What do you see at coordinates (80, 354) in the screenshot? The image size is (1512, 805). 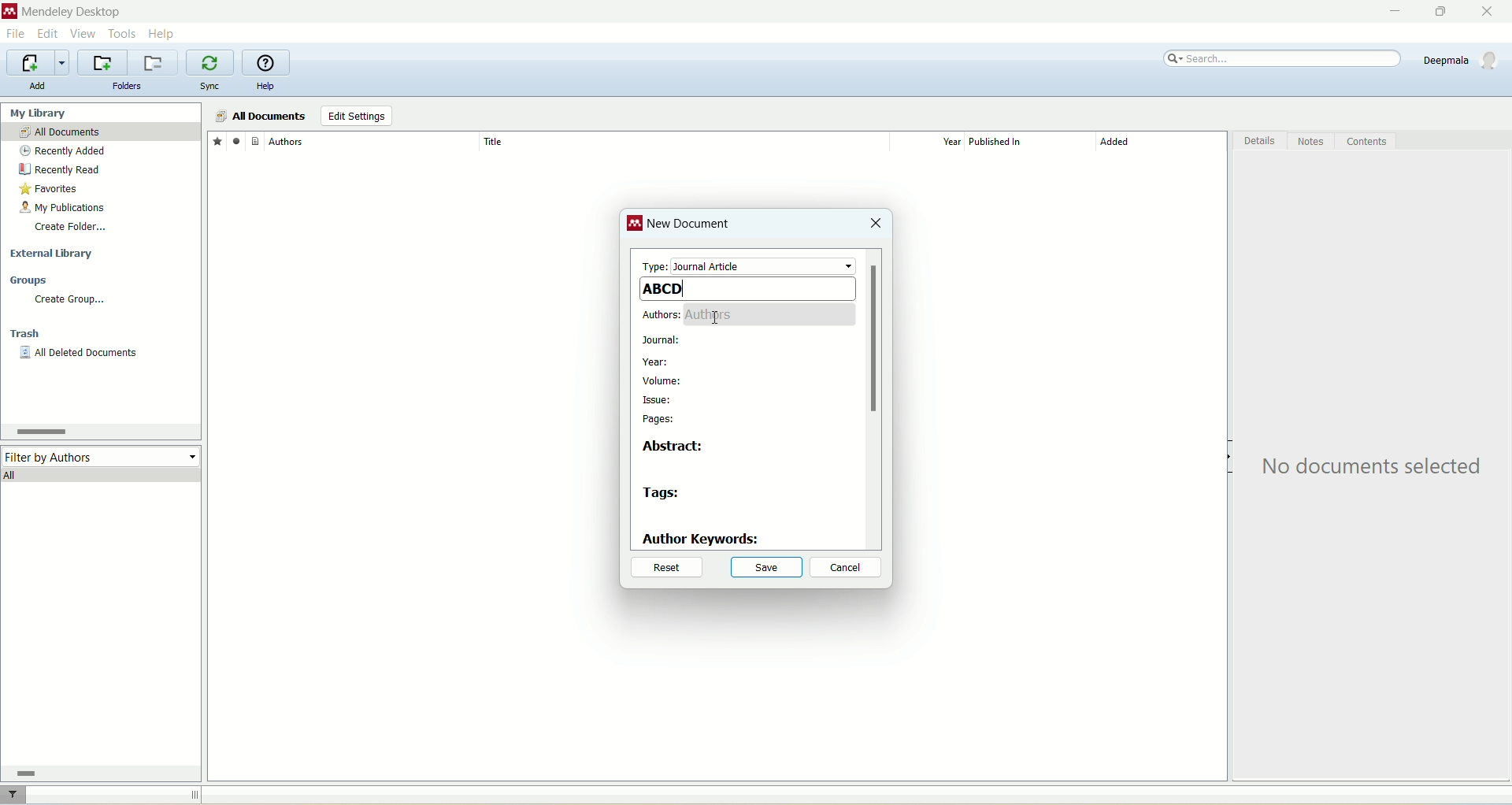 I see `all deleted` at bounding box center [80, 354].